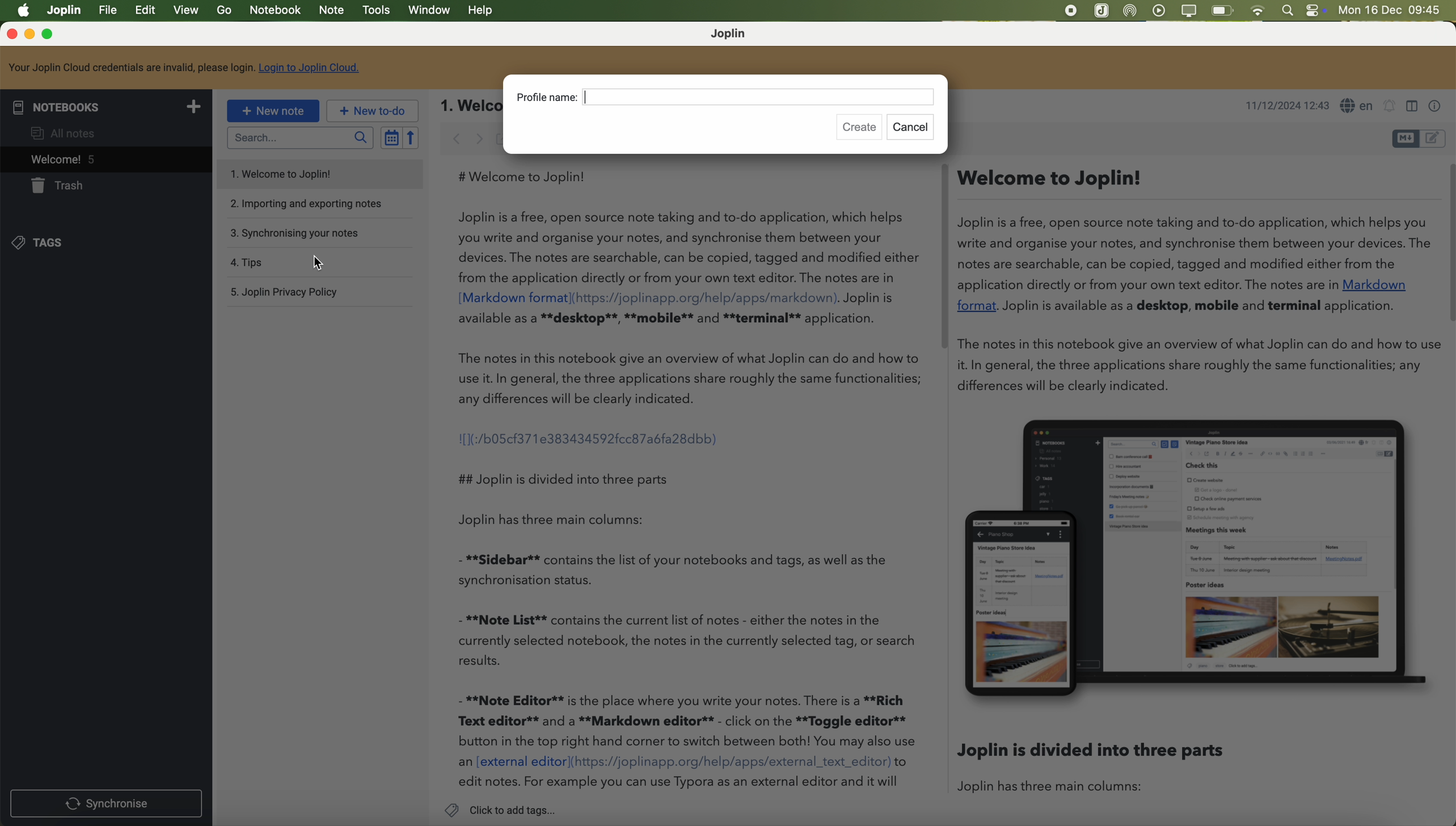 This screenshot has height=826, width=1456. Describe the element at coordinates (1223, 10) in the screenshot. I see `battery` at that location.